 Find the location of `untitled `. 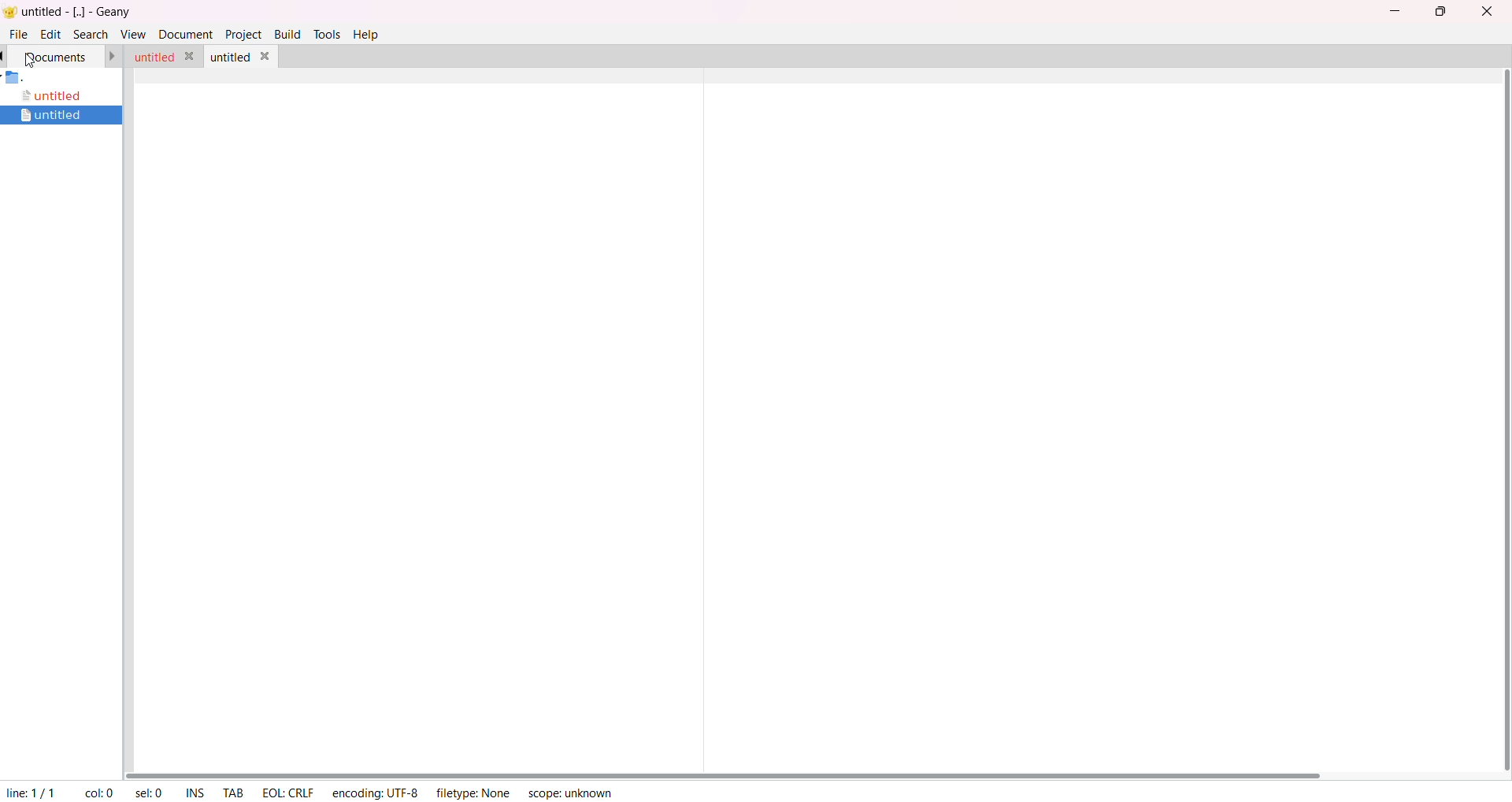

untitled  is located at coordinates (54, 96).